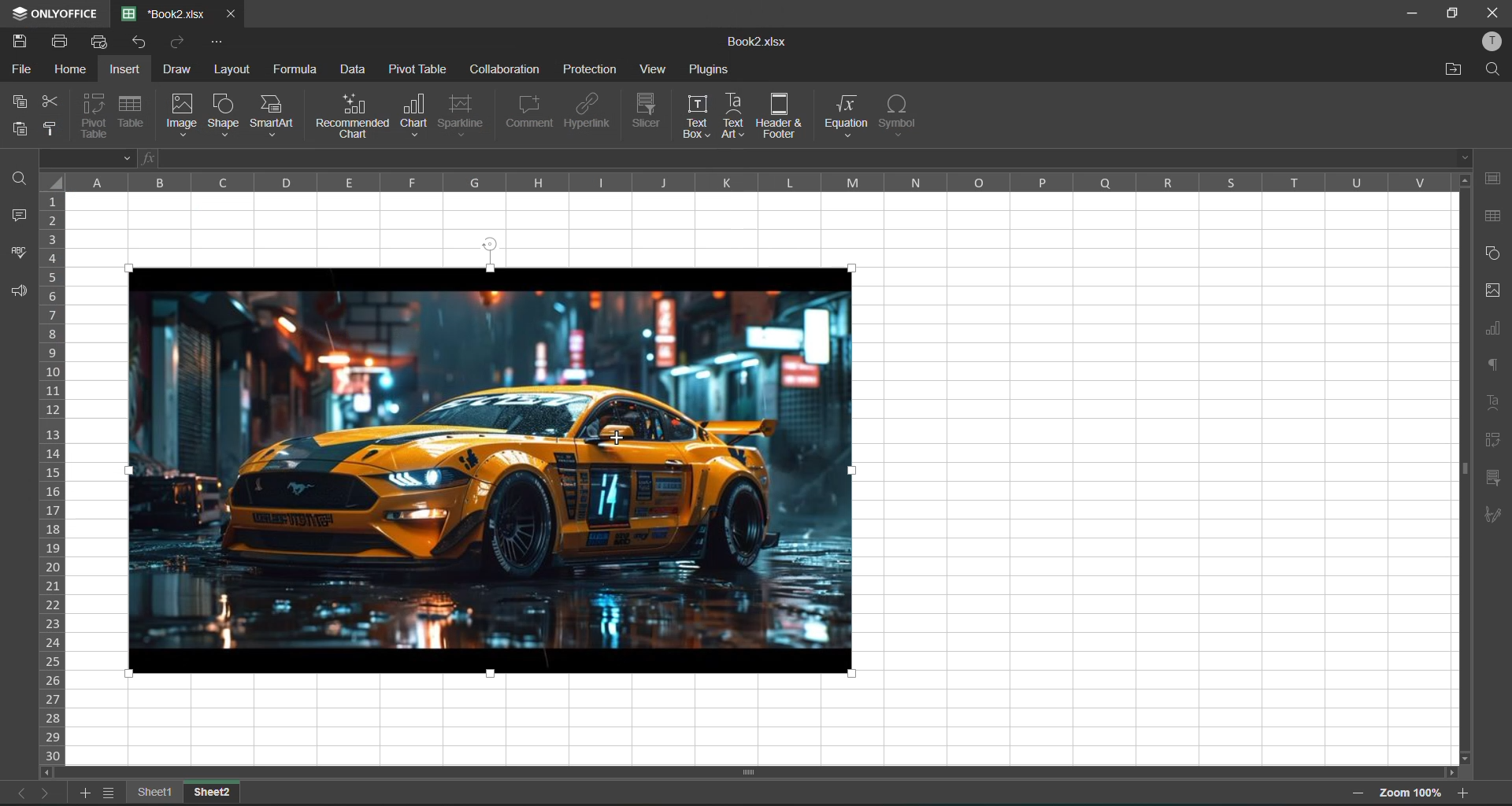 The height and width of the screenshot is (806, 1512). I want to click on fx, so click(144, 158).